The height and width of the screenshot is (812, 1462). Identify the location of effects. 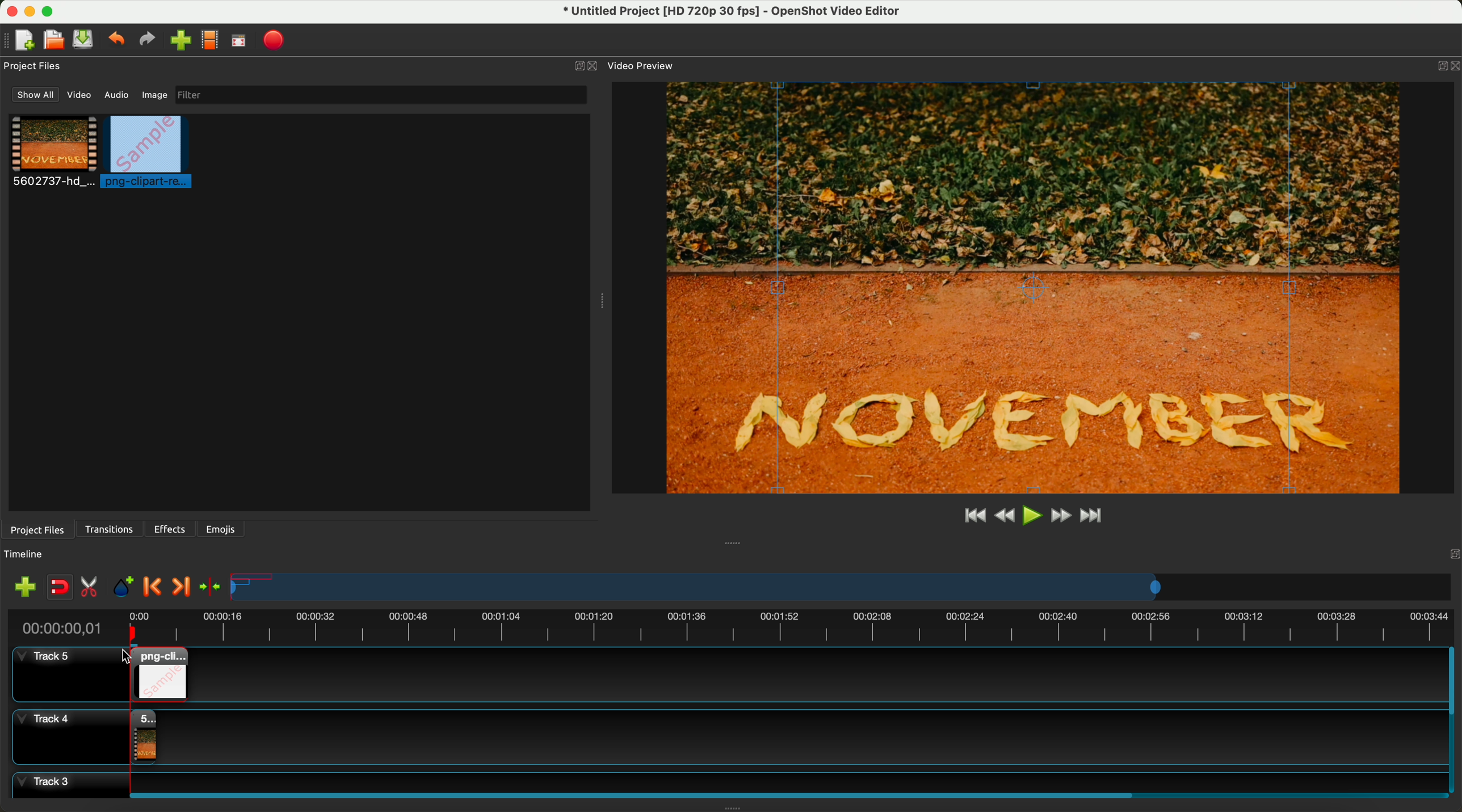
(171, 529).